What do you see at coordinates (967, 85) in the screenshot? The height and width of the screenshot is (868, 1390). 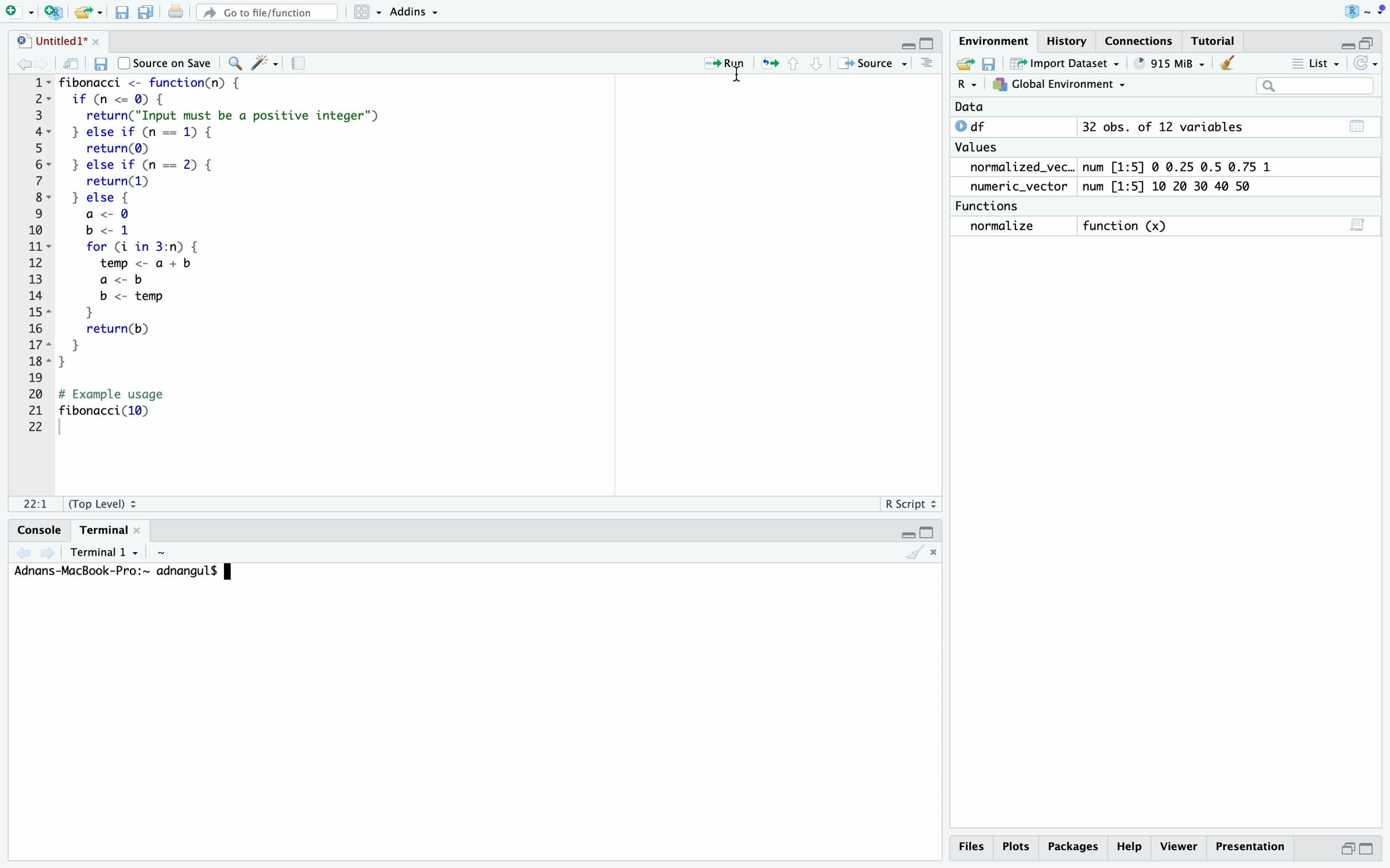 I see `select language` at bounding box center [967, 85].